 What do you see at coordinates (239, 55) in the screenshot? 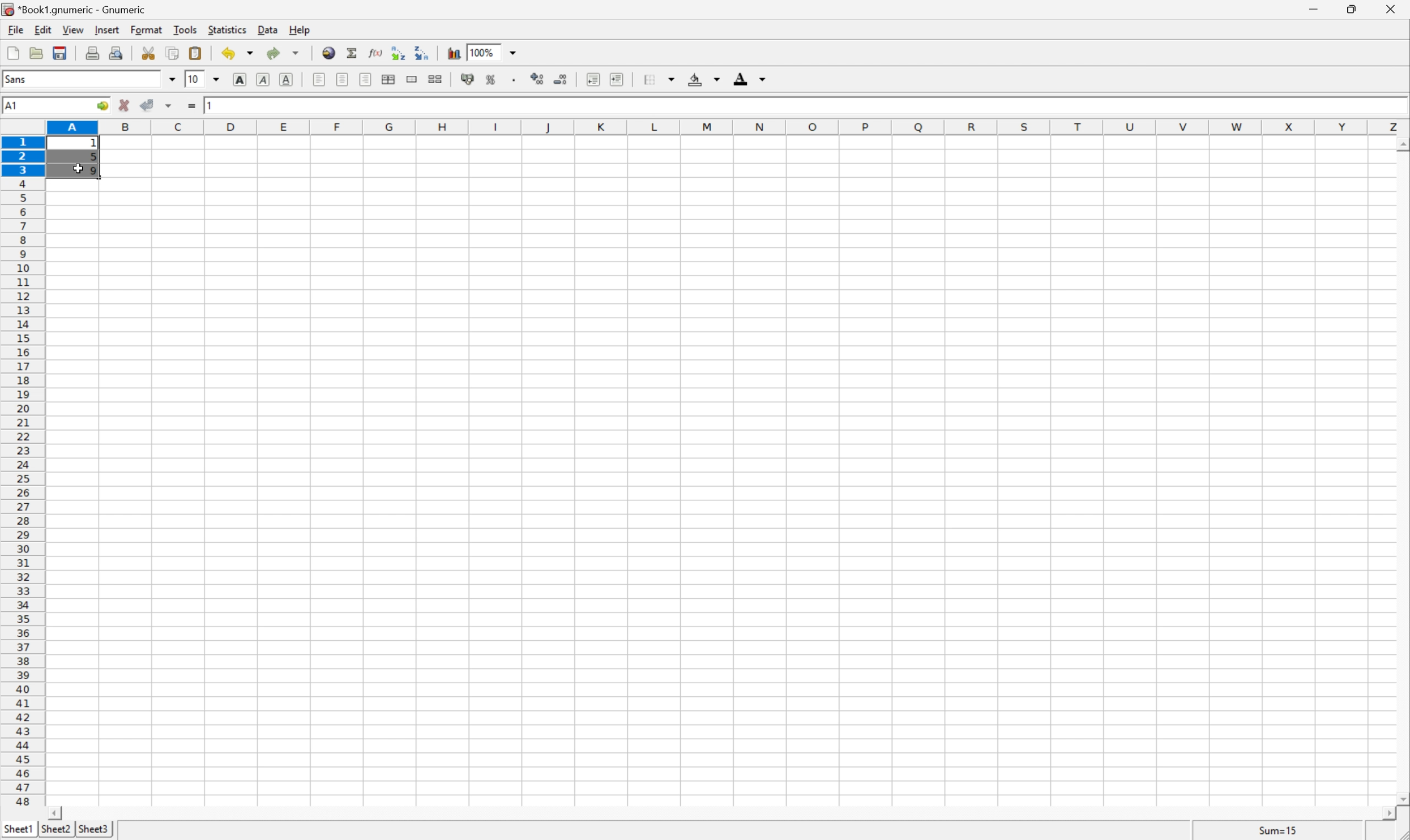
I see `undo` at bounding box center [239, 55].